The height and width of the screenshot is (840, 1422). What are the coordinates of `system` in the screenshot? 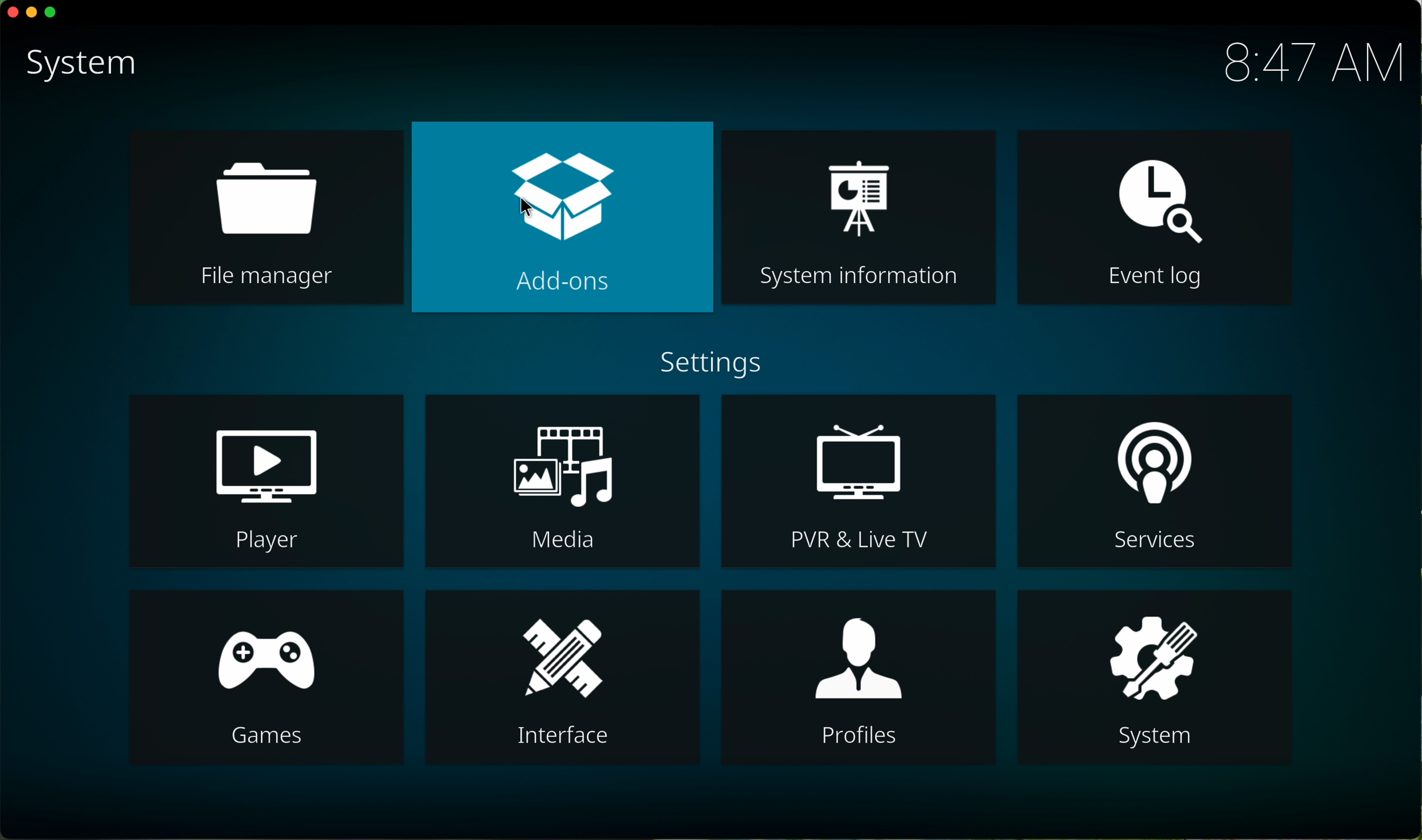 It's located at (1163, 676).